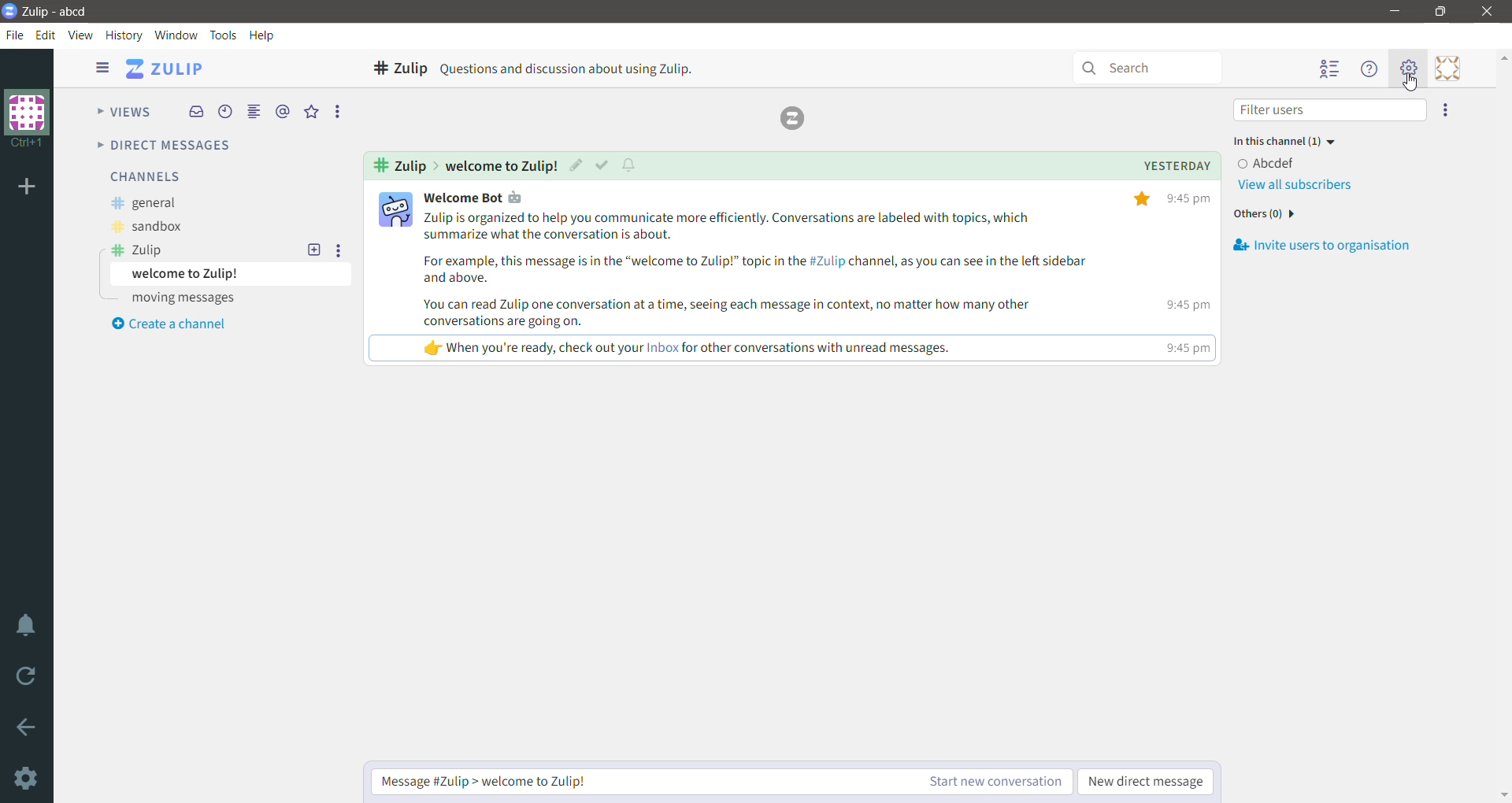 The width and height of the screenshot is (1512, 803). I want to click on Channels, so click(145, 176).